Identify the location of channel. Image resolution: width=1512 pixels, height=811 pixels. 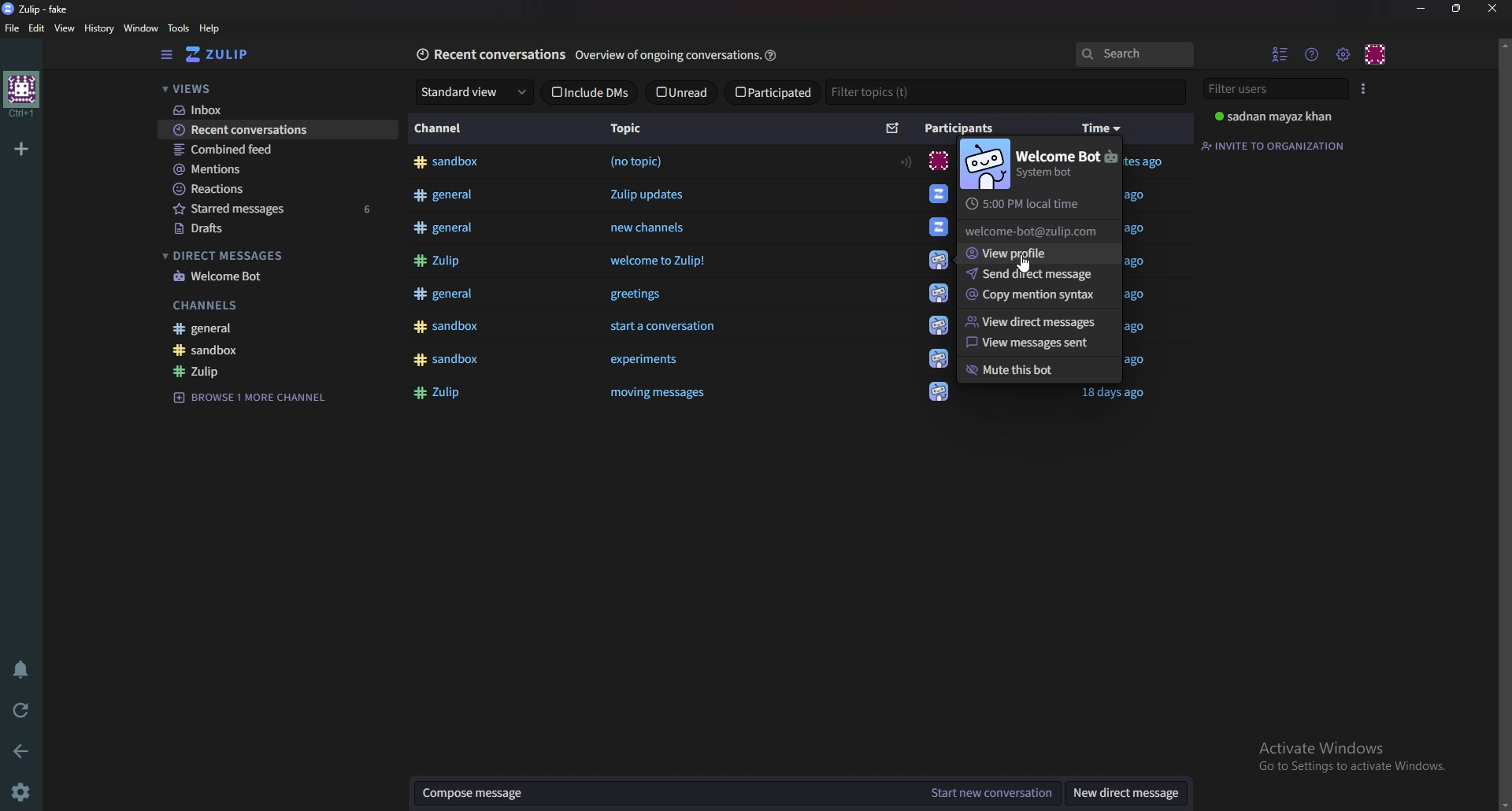
(439, 129).